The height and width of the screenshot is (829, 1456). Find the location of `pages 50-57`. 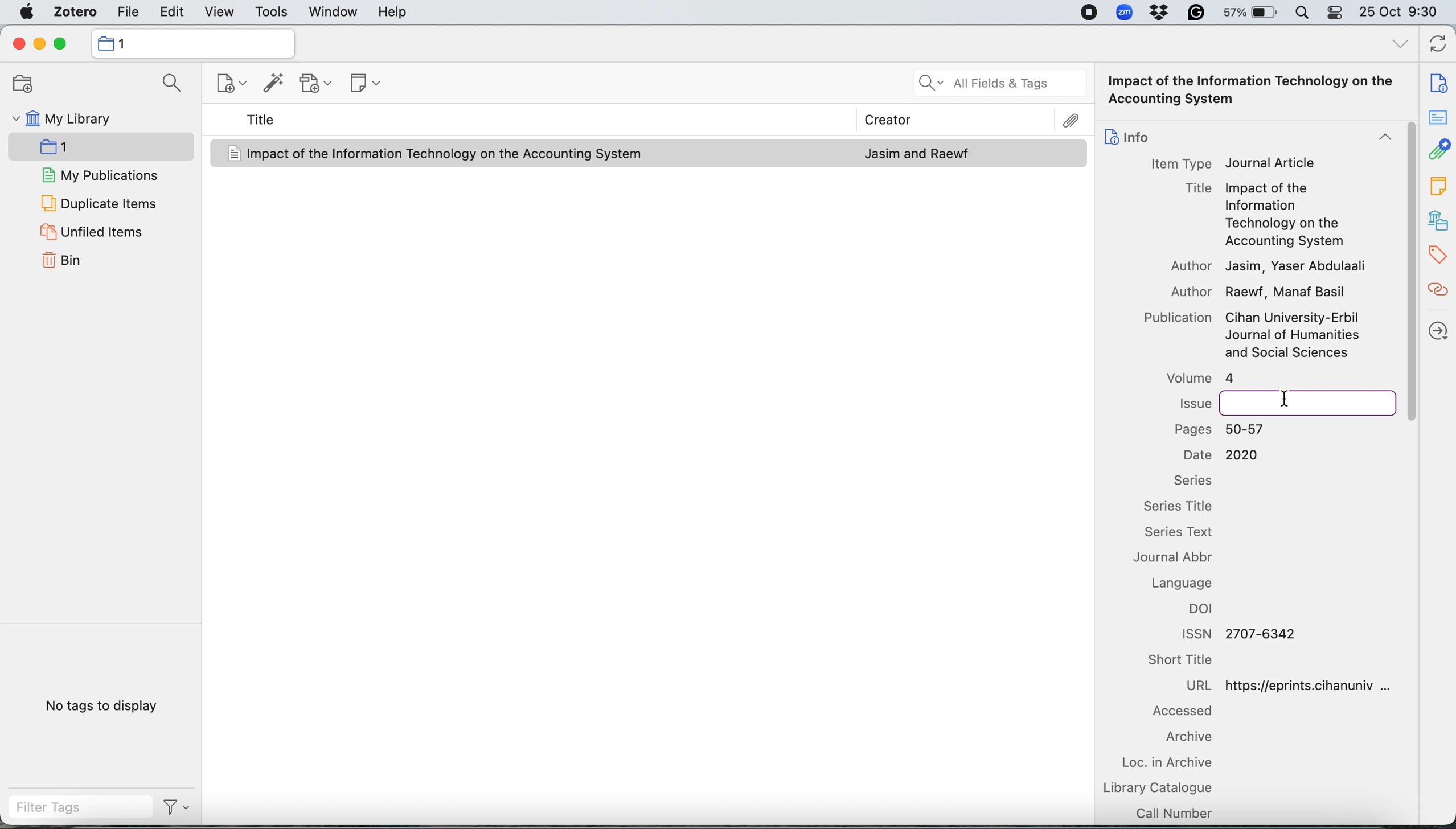

pages 50-57 is located at coordinates (1226, 429).